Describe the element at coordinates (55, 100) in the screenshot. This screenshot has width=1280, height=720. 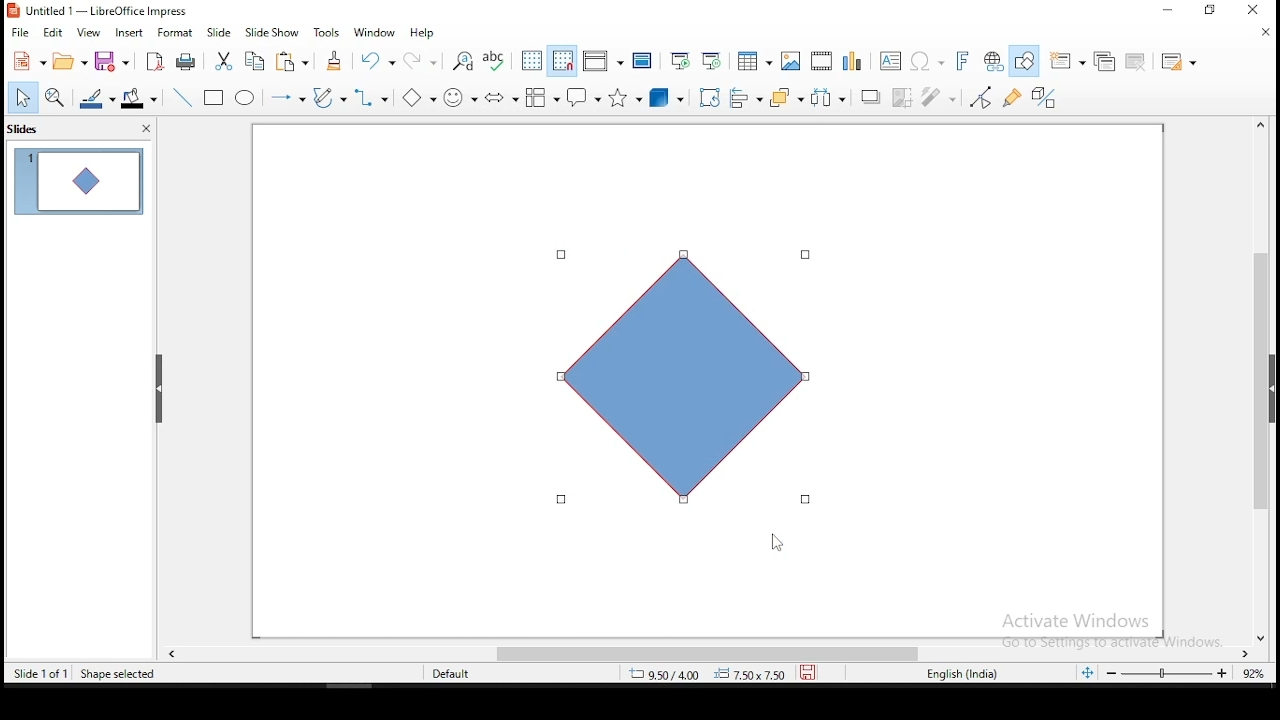
I see `zoom and pan` at that location.